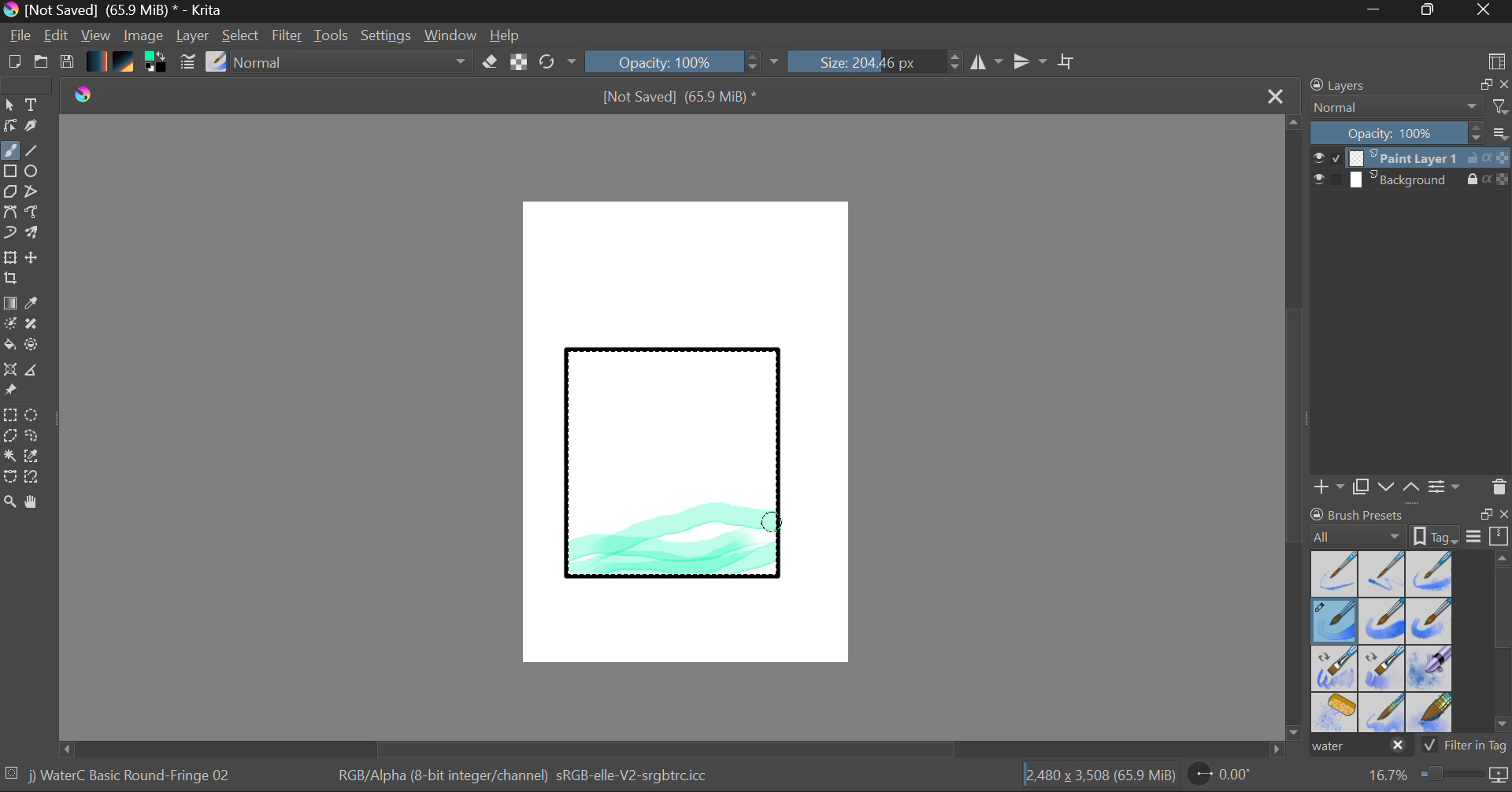 The image size is (1512, 792). I want to click on Continuous Selection, so click(9, 455).